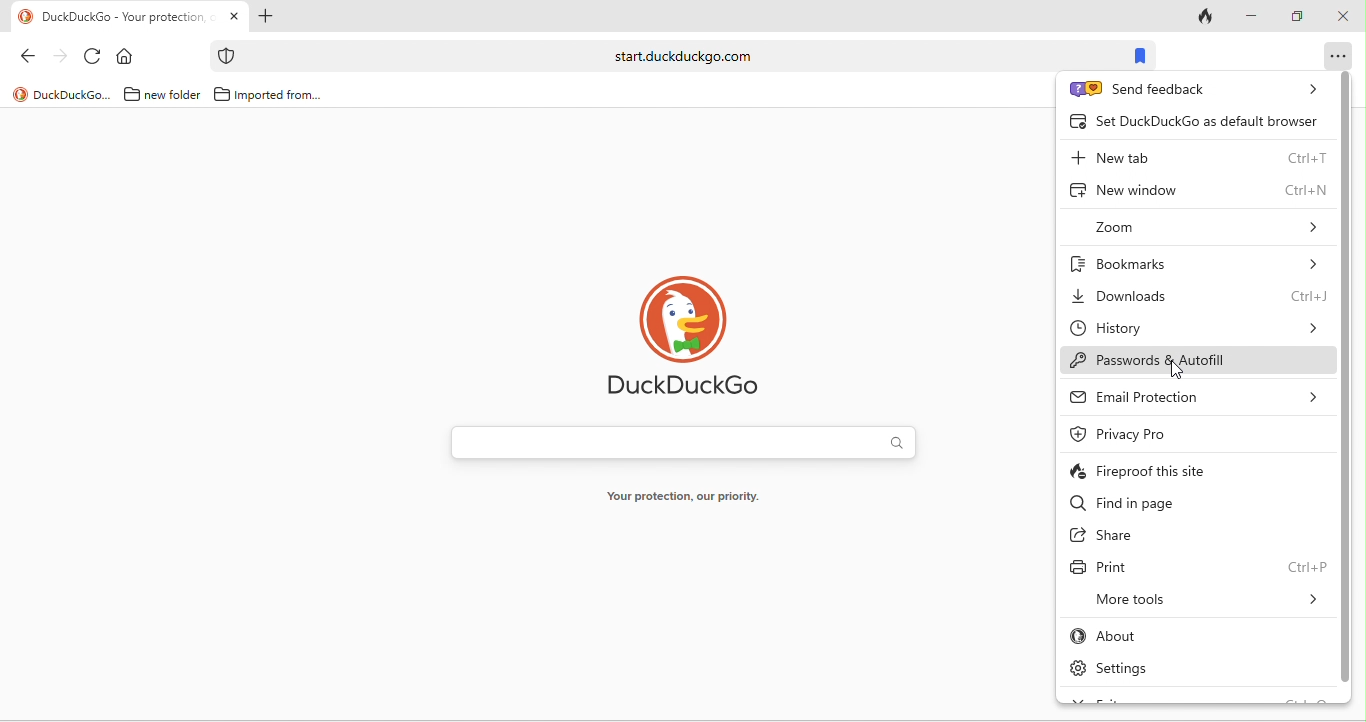  I want to click on share, so click(1115, 537).